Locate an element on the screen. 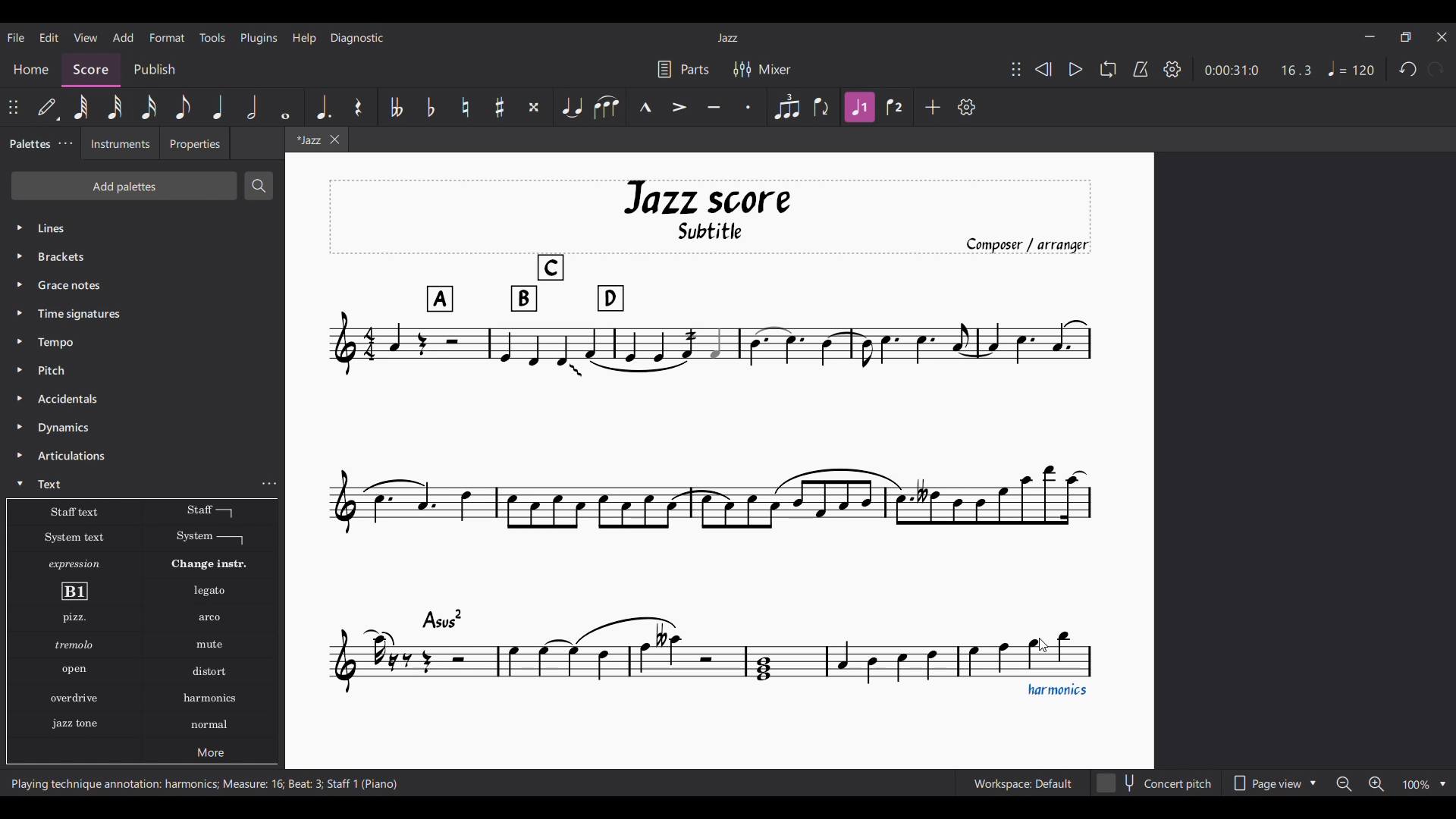  Close tab is located at coordinates (334, 140).